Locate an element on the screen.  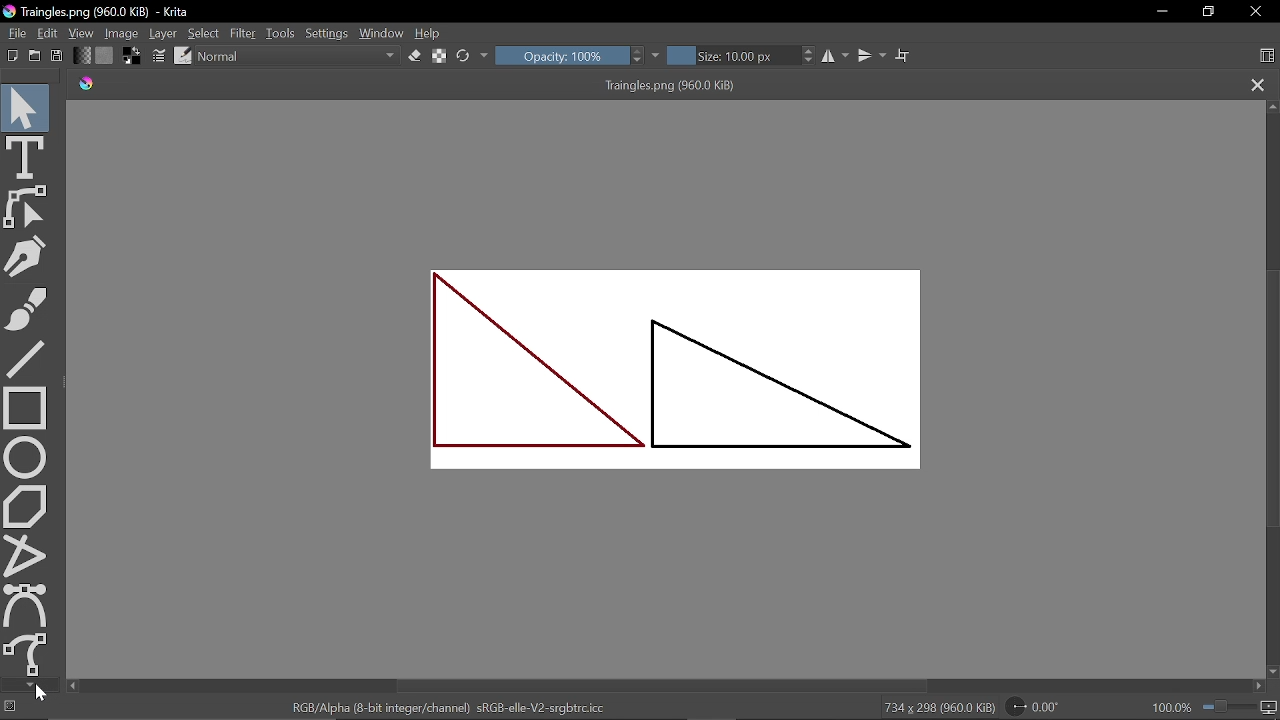
Move up is located at coordinates (1272, 106).